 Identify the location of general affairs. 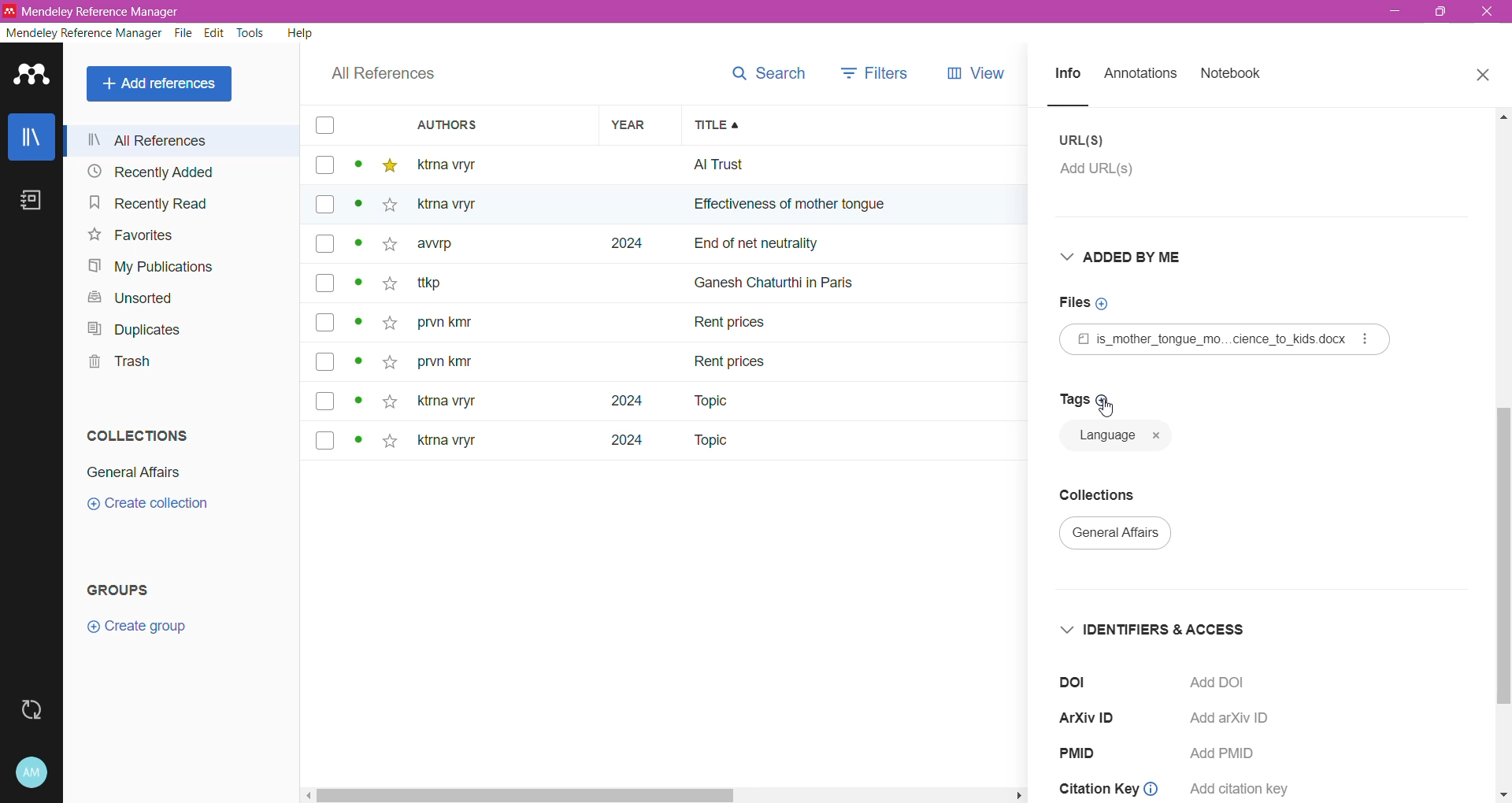
(1122, 538).